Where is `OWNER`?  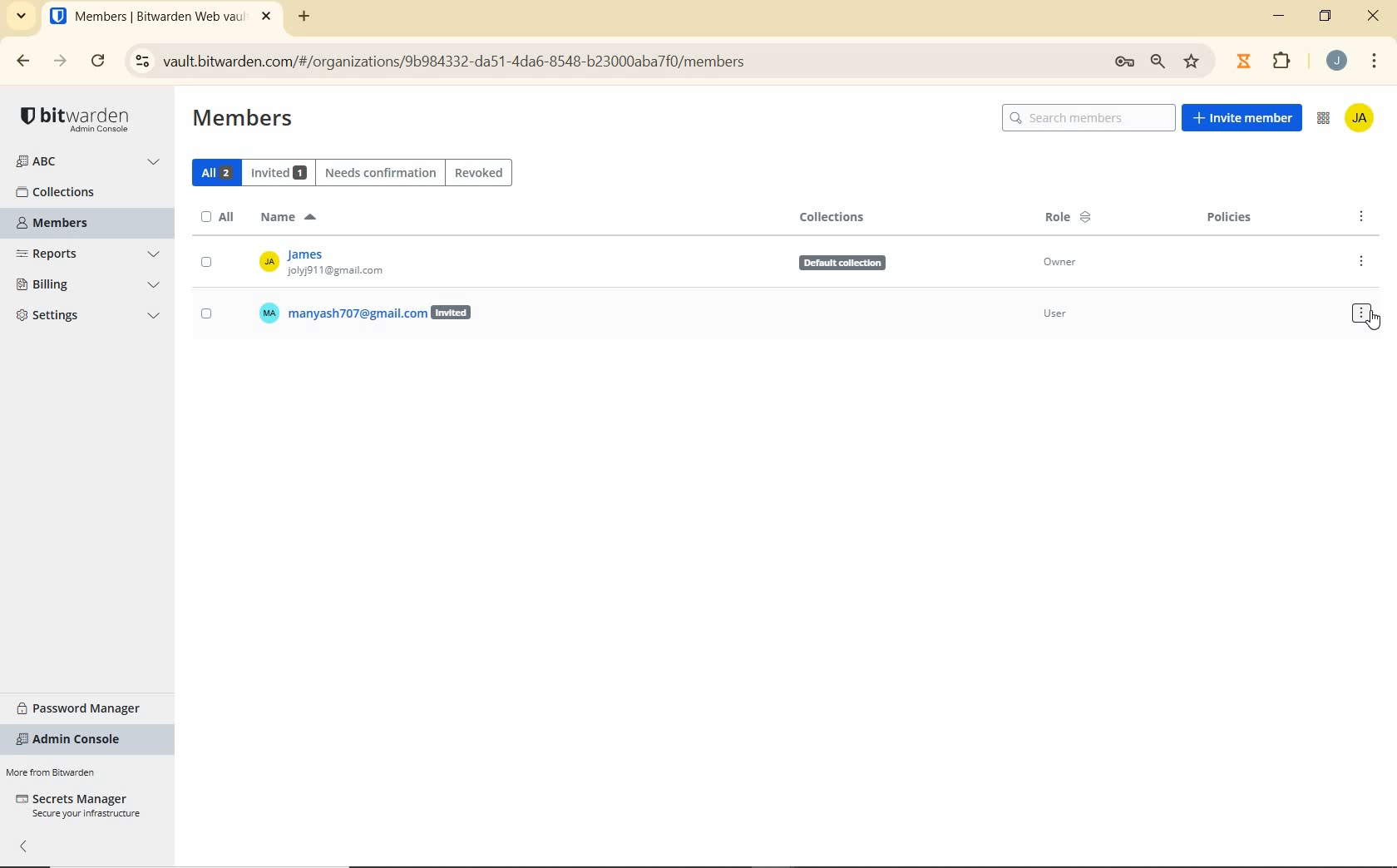
OWNER is located at coordinates (373, 263).